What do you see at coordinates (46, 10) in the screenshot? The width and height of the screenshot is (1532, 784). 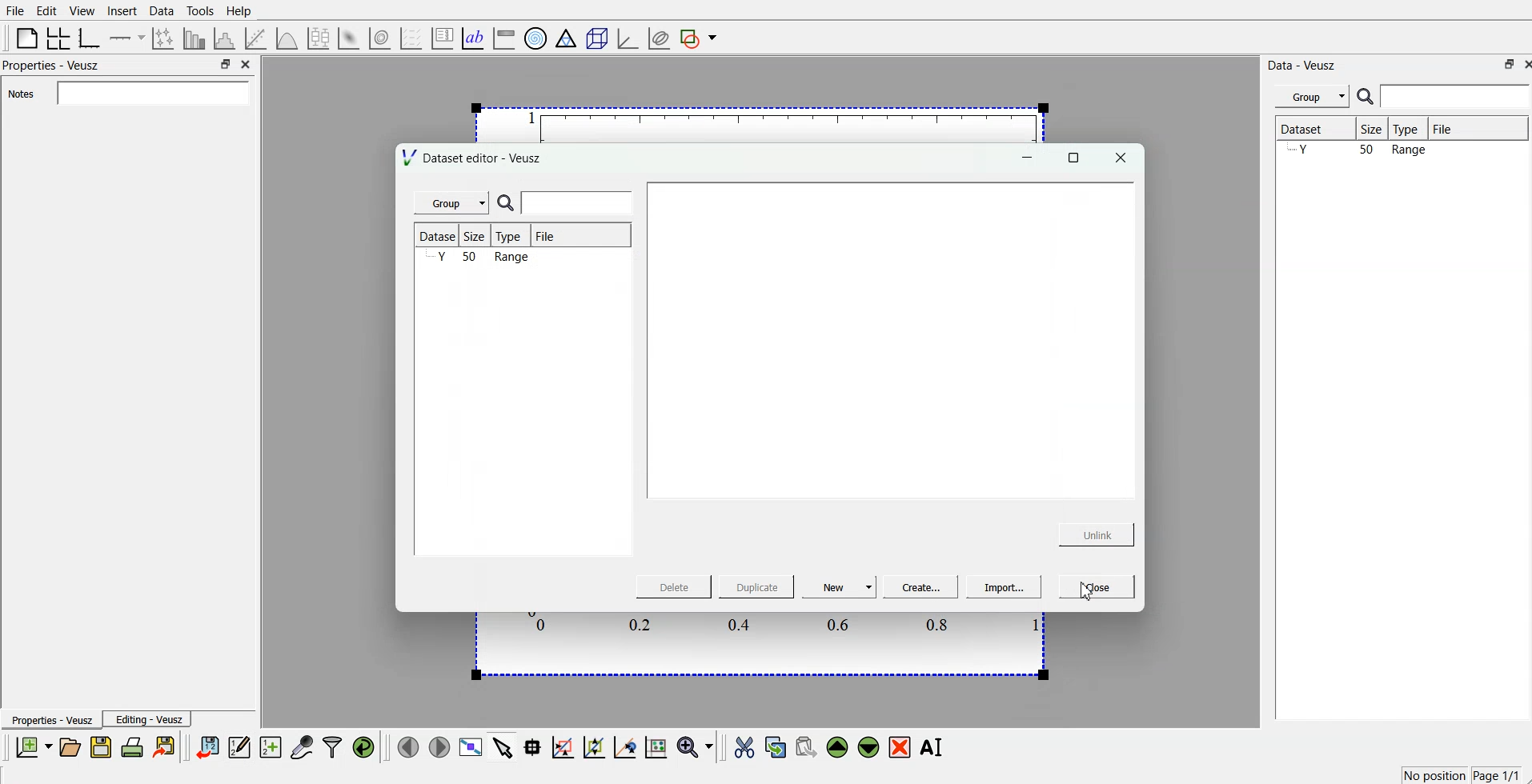 I see `Edit` at bounding box center [46, 10].